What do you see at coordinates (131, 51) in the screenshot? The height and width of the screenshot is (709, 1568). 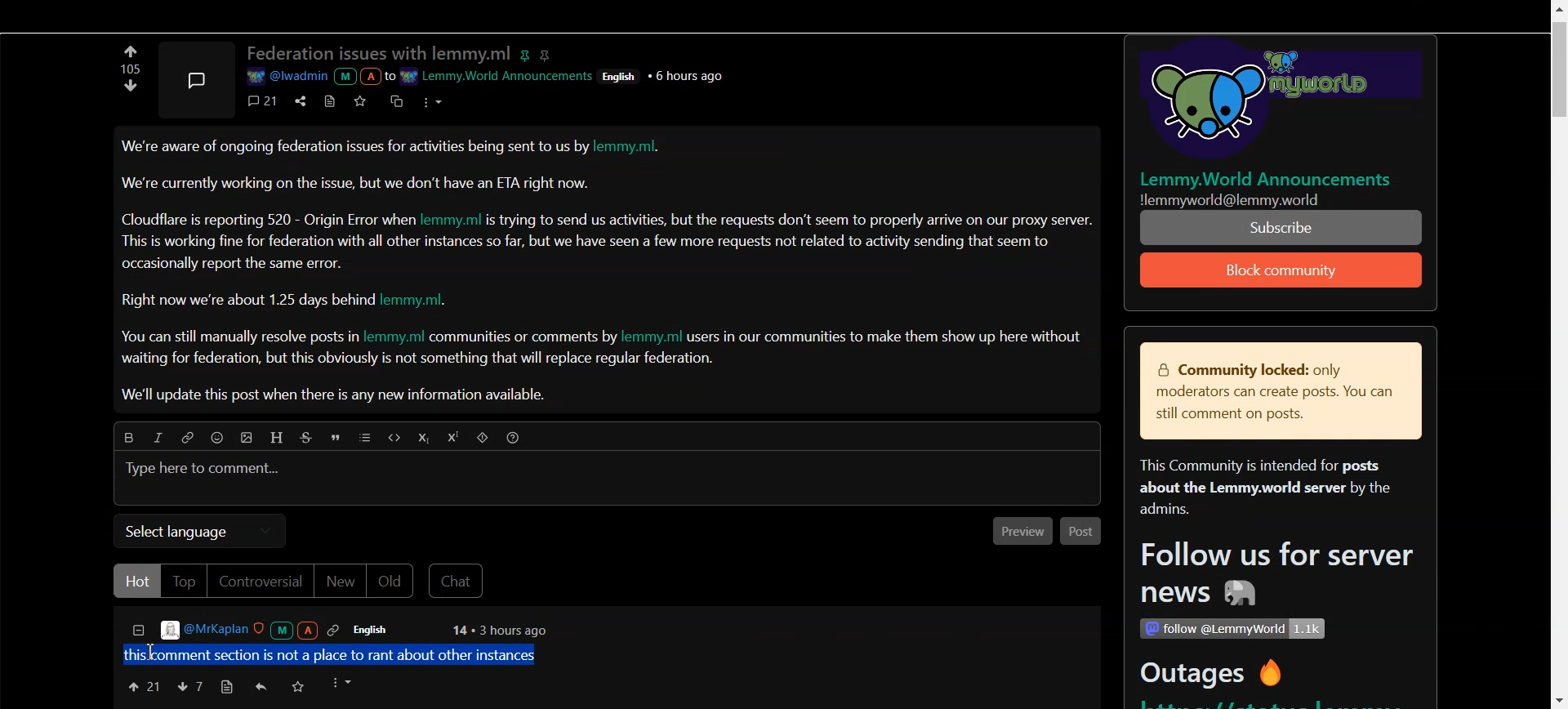 I see `Down vote` at bounding box center [131, 51].